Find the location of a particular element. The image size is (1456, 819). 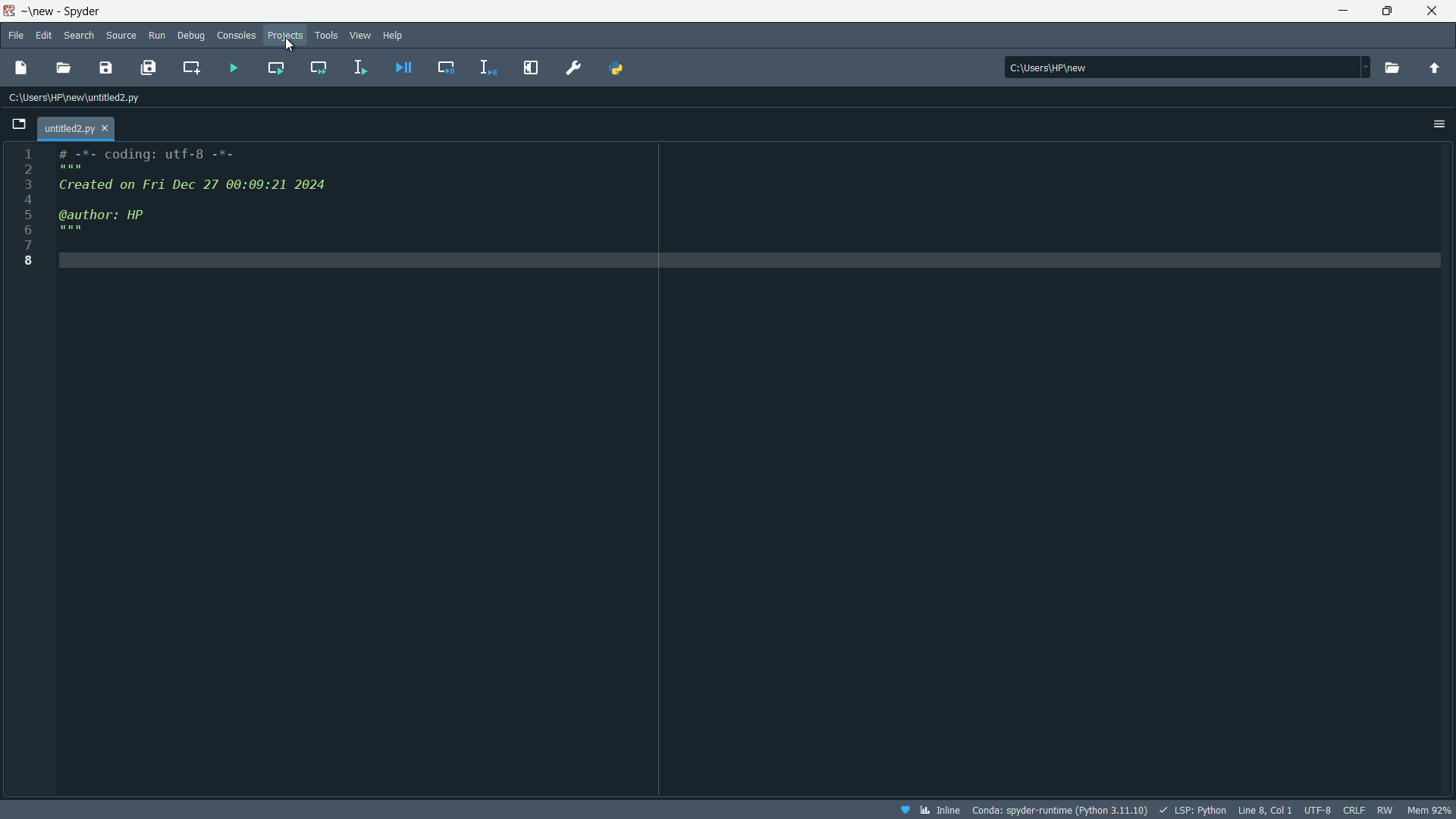

options is located at coordinates (1439, 124).